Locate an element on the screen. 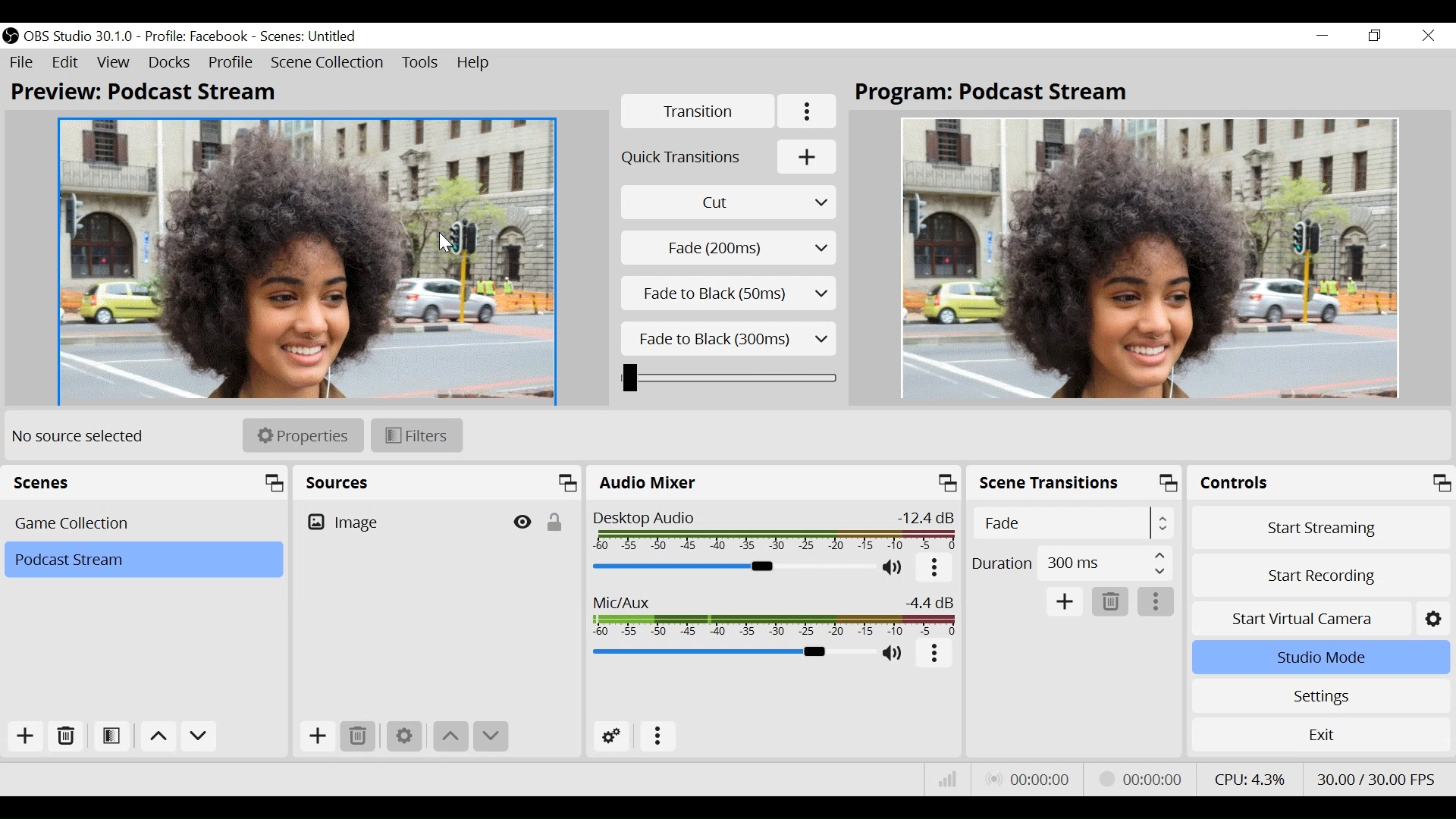 Image resolution: width=1456 pixels, height=819 pixels. Restore is located at coordinates (1373, 36).